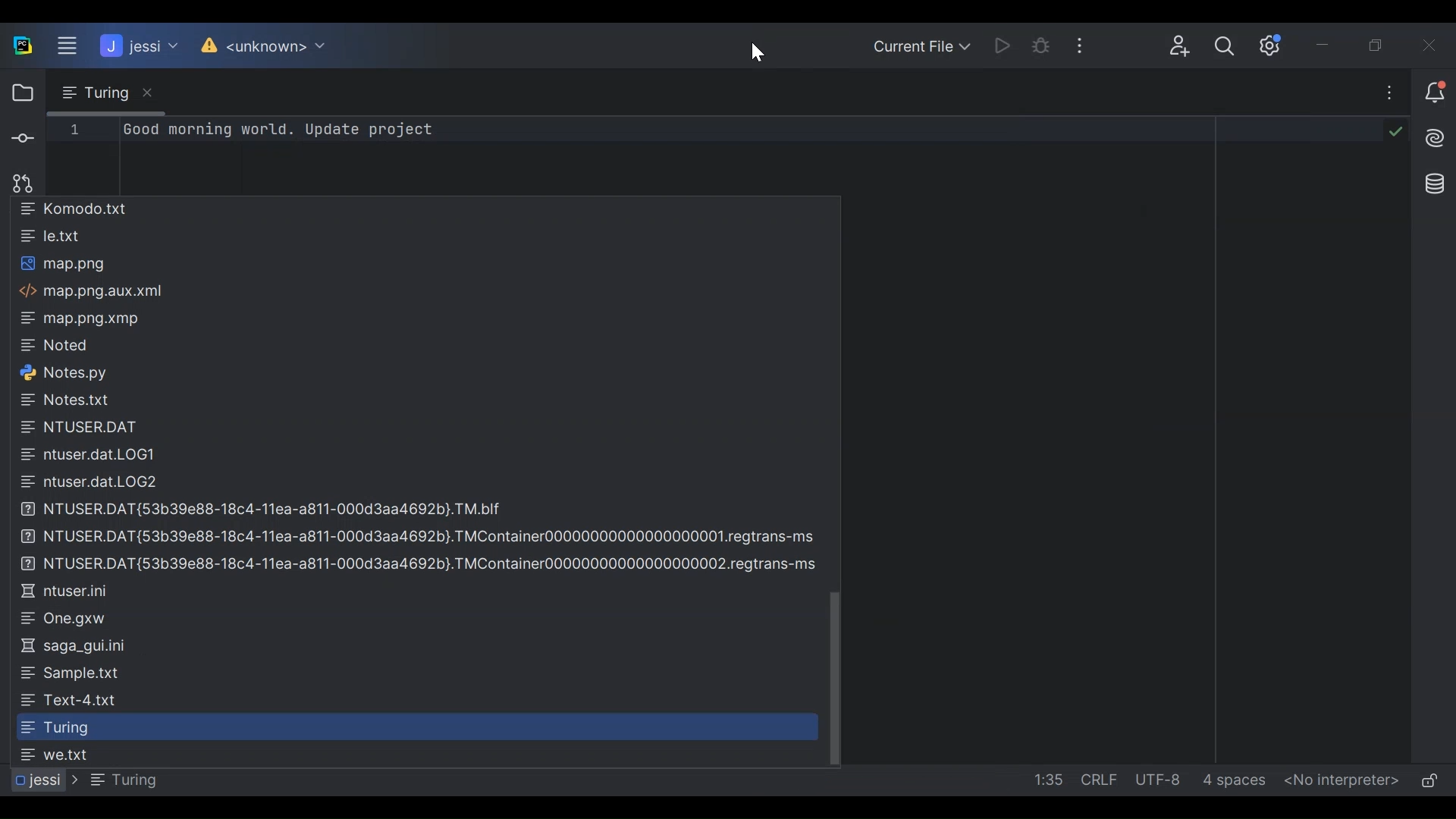  I want to click on Notification, so click(1432, 94).